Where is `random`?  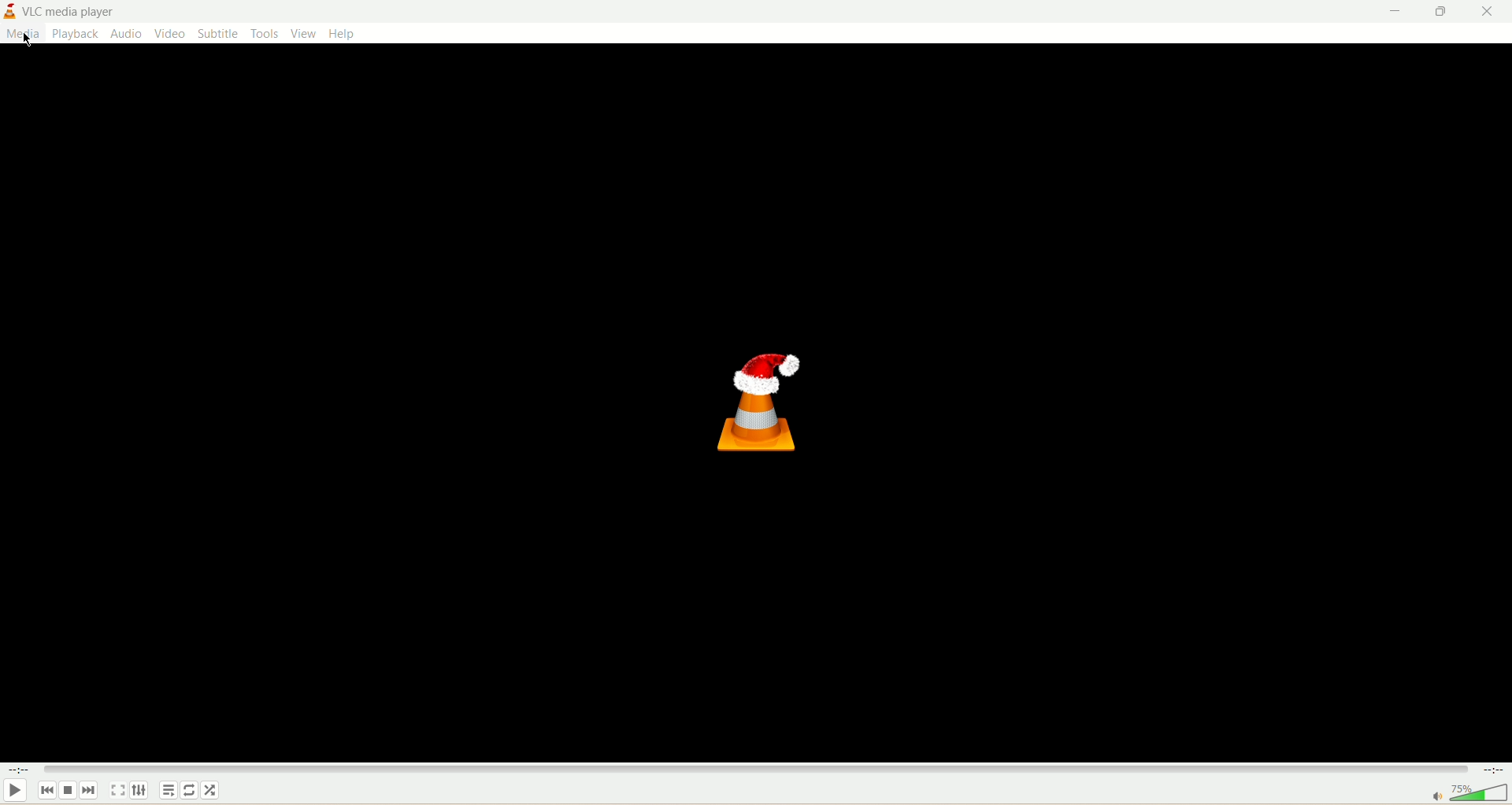 random is located at coordinates (210, 791).